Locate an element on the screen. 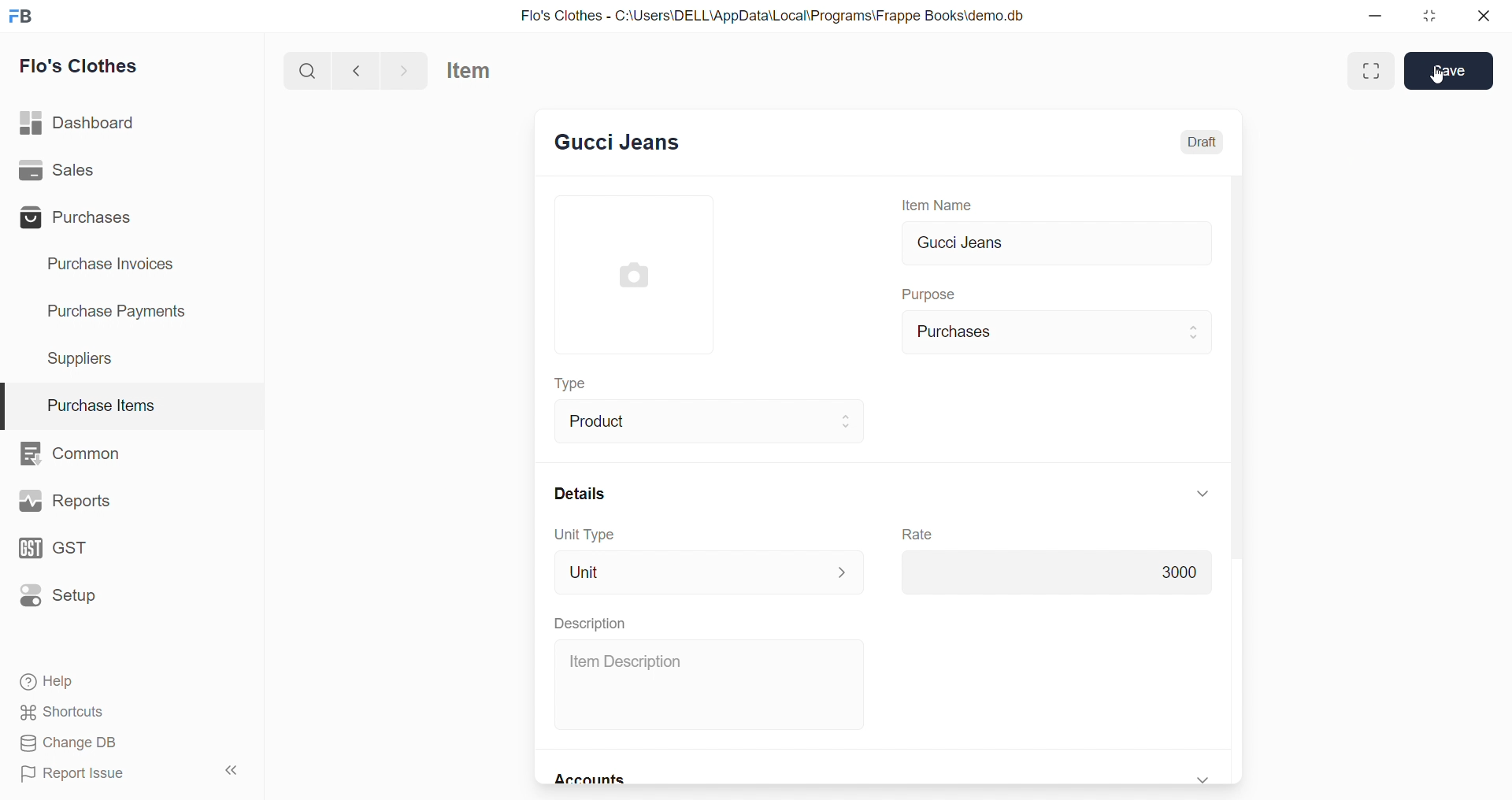 This screenshot has height=800, width=1512. Report Issue is located at coordinates (98, 772).